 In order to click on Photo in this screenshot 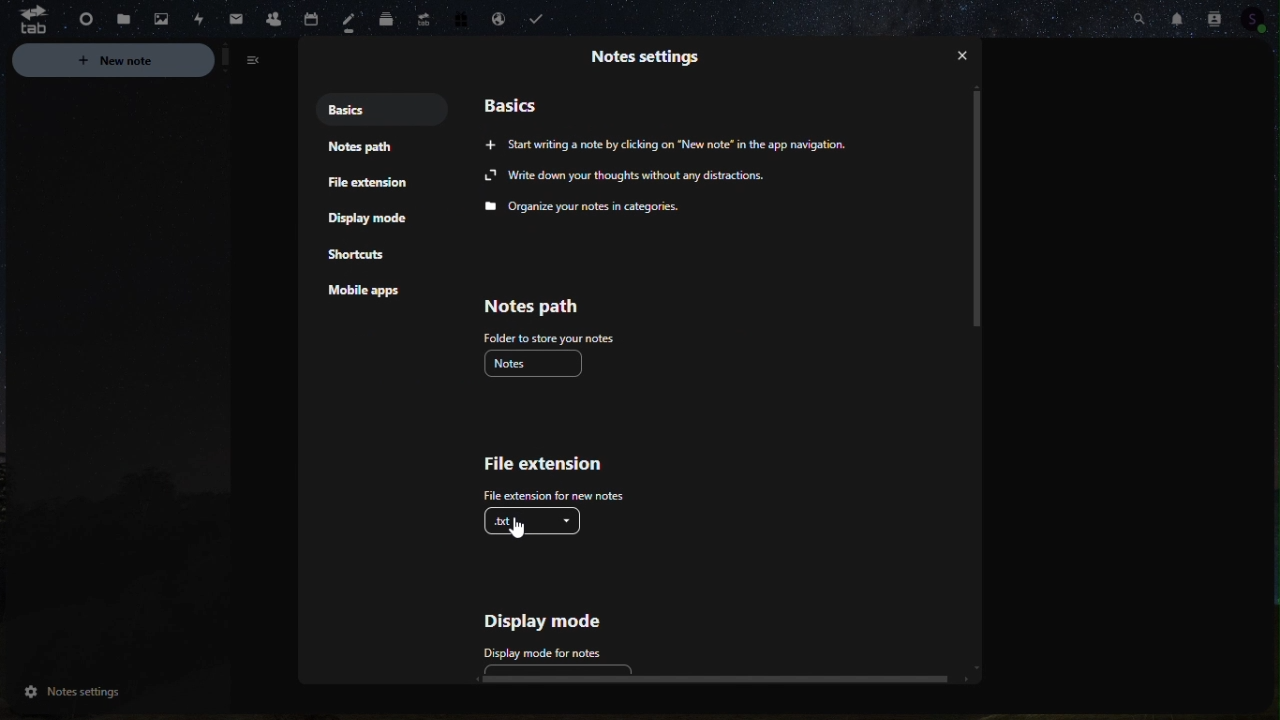, I will do `click(155, 20)`.